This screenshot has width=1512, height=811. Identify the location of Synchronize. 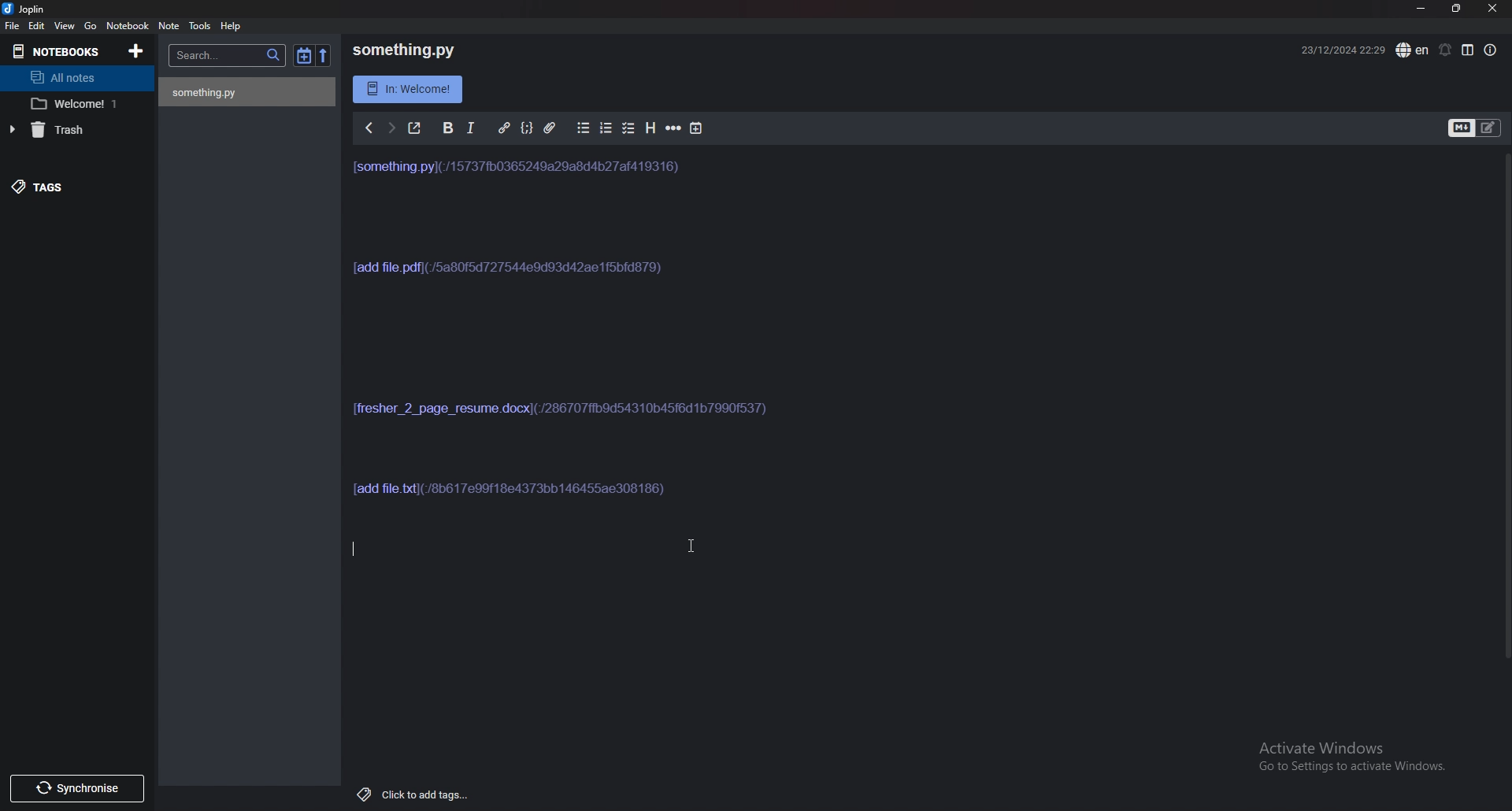
(77, 791).